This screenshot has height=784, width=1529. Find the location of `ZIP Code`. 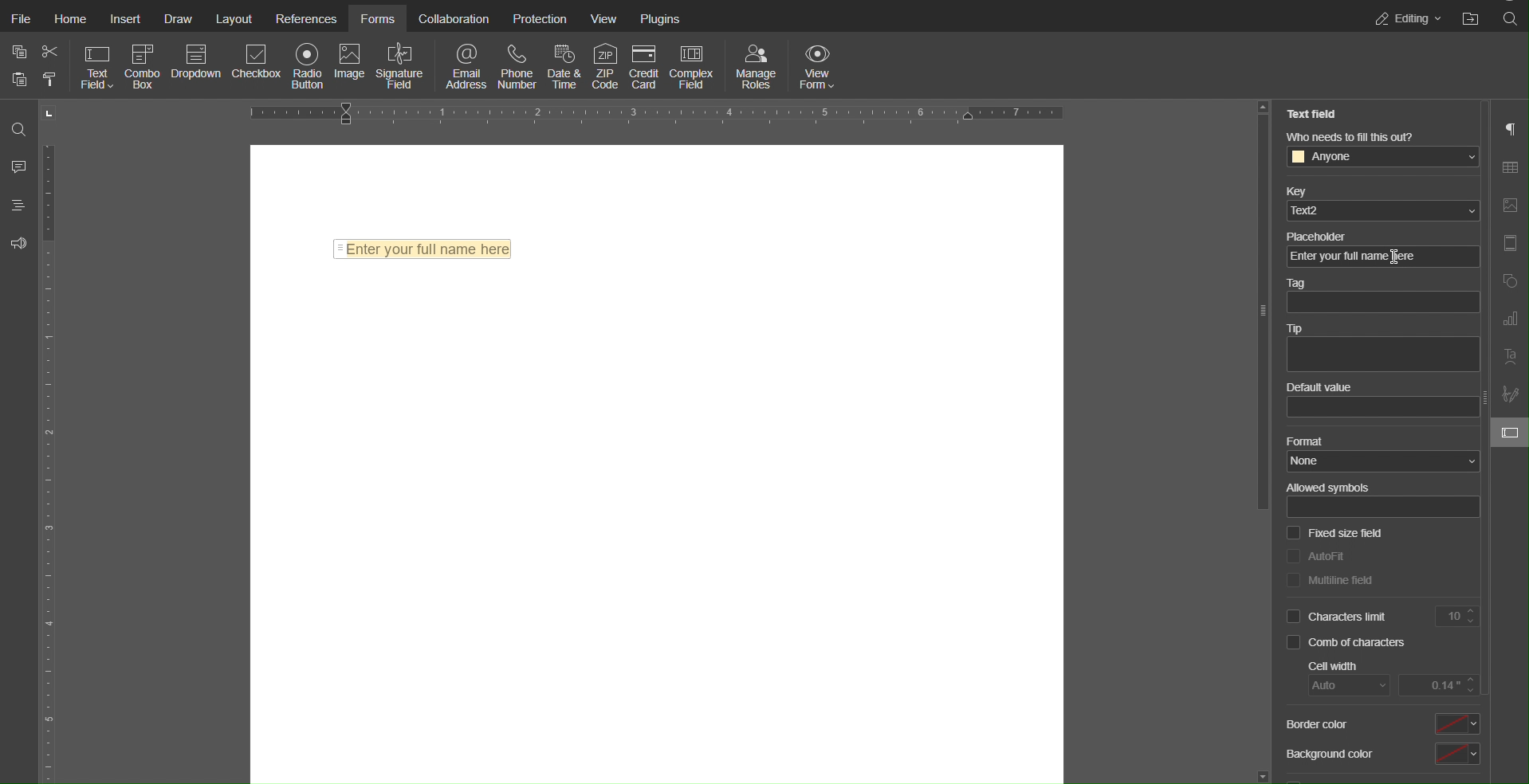

ZIP Code is located at coordinates (605, 66).